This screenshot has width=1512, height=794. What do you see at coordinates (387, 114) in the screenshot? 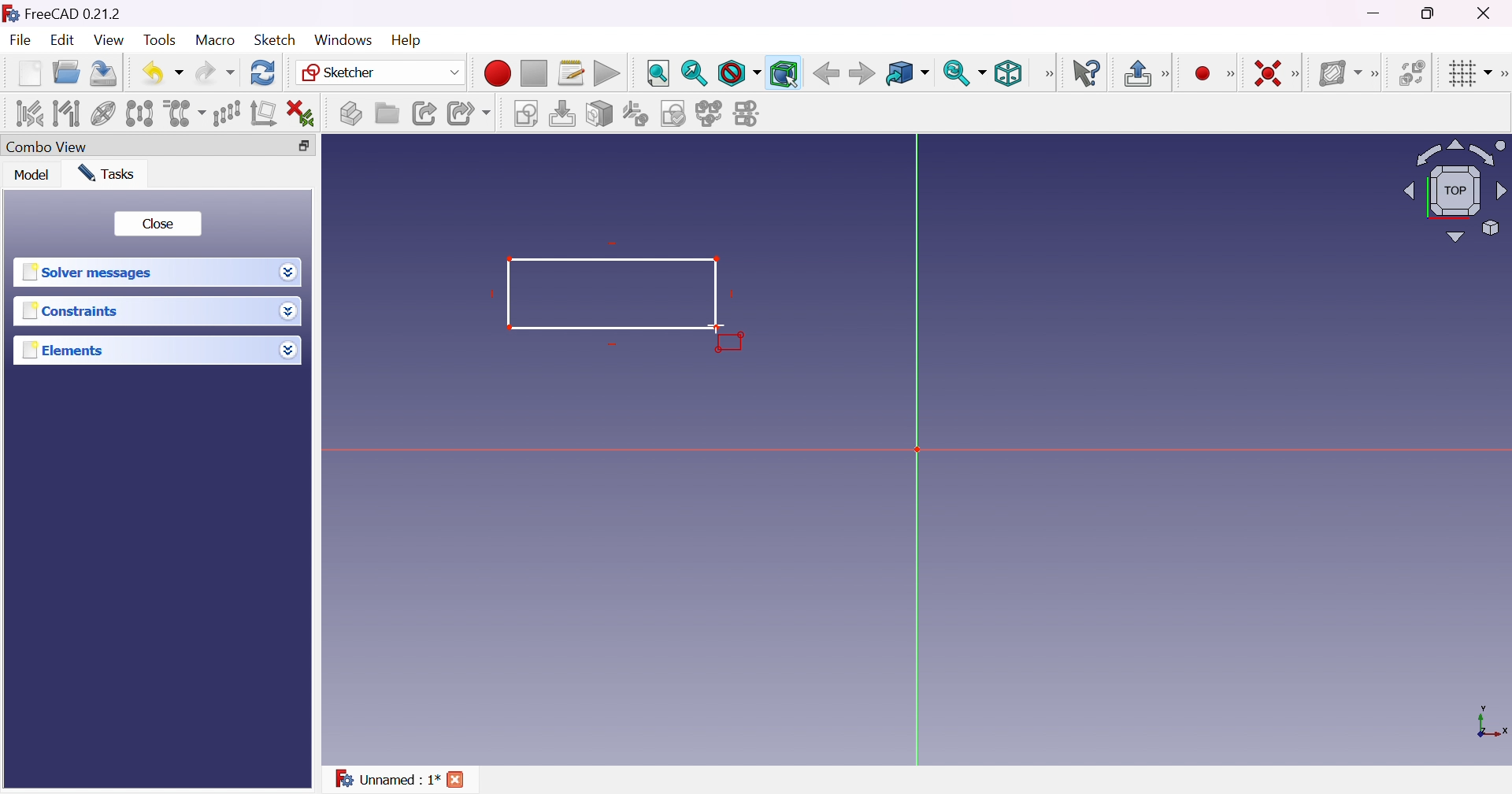
I see `Create group` at bounding box center [387, 114].